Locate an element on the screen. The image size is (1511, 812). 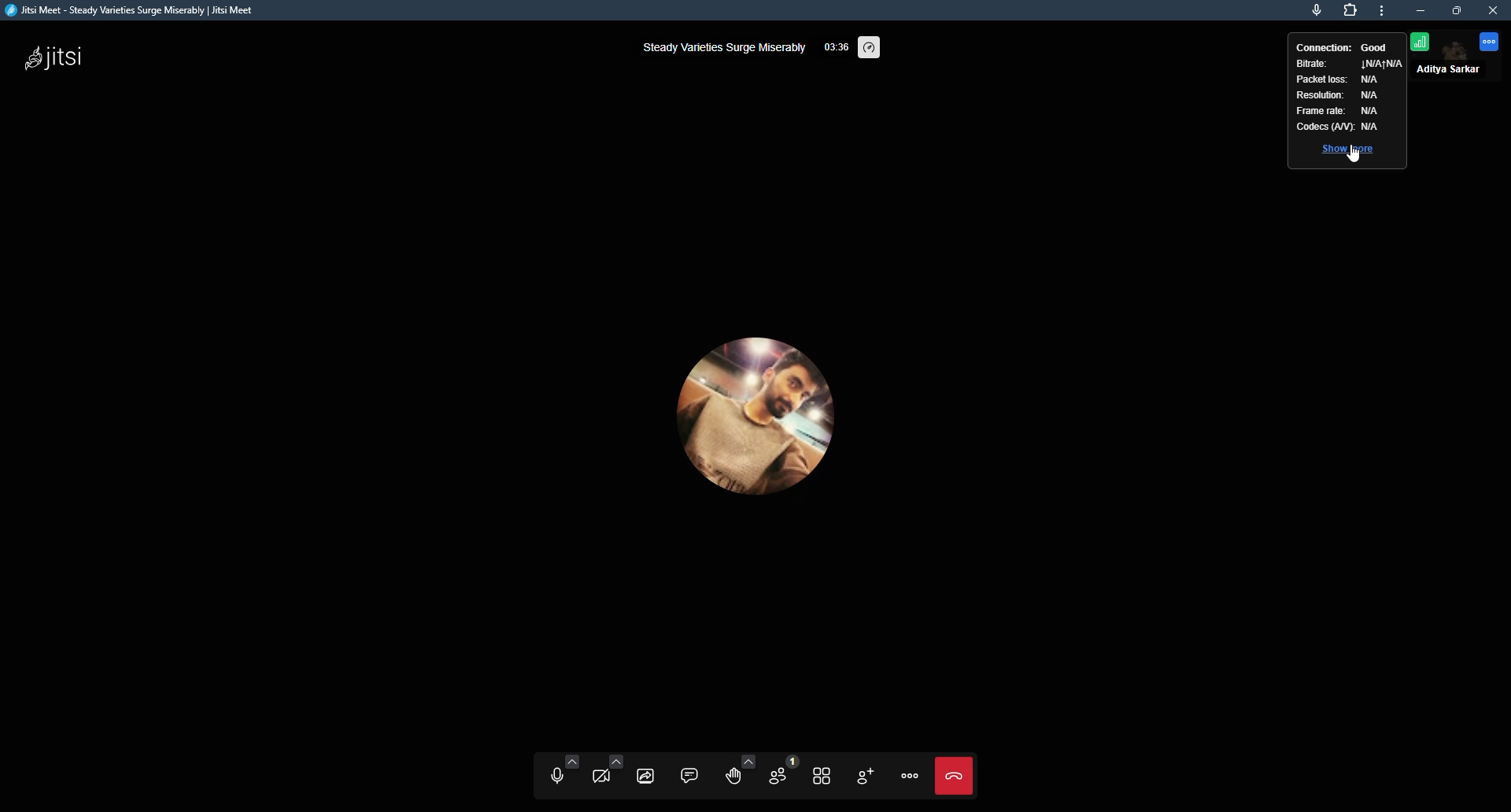
a is located at coordinates (1379, 127).